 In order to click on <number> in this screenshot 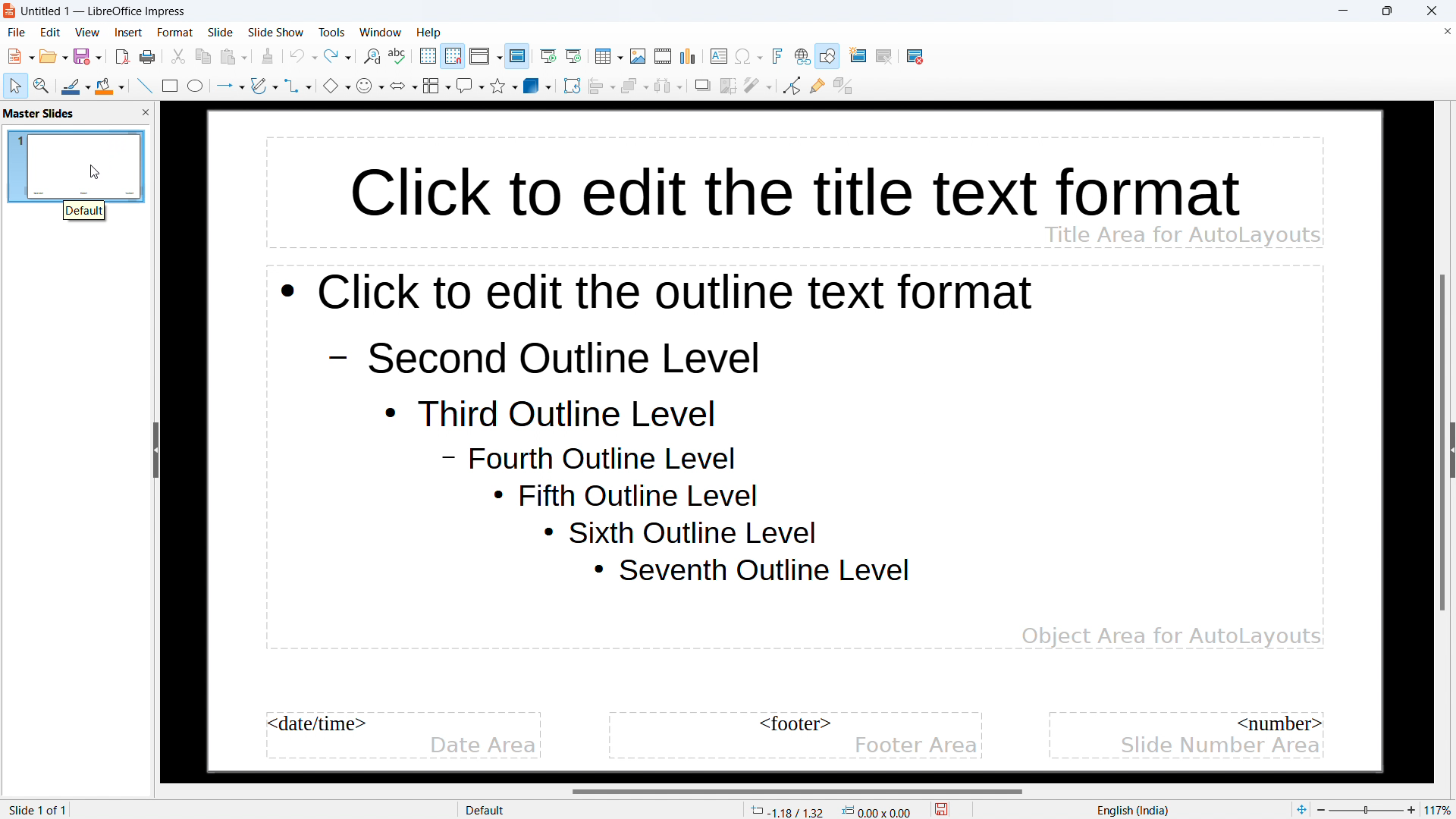, I will do `click(1281, 723)`.